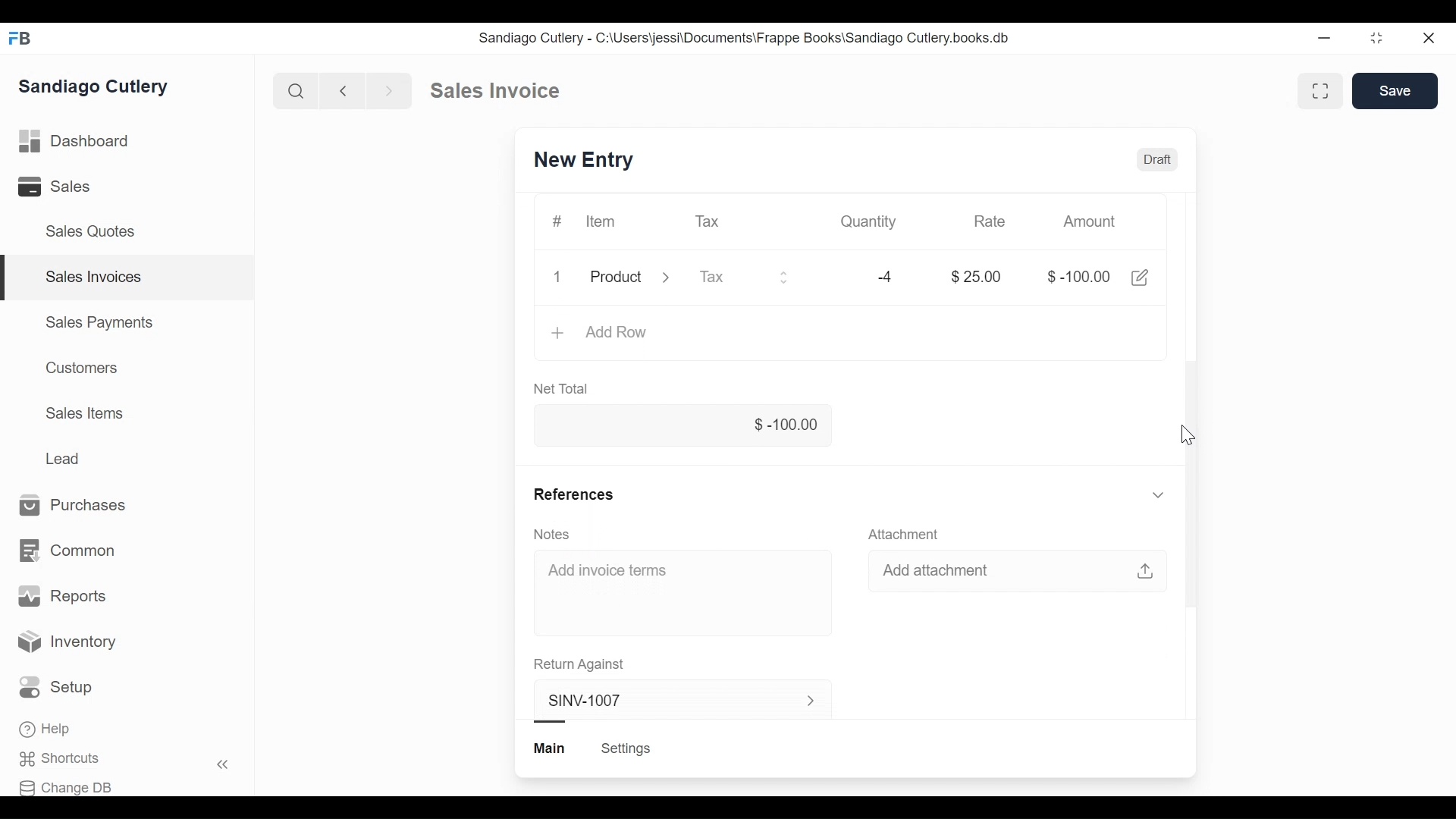  I want to click on Shortcuts, so click(58, 758).